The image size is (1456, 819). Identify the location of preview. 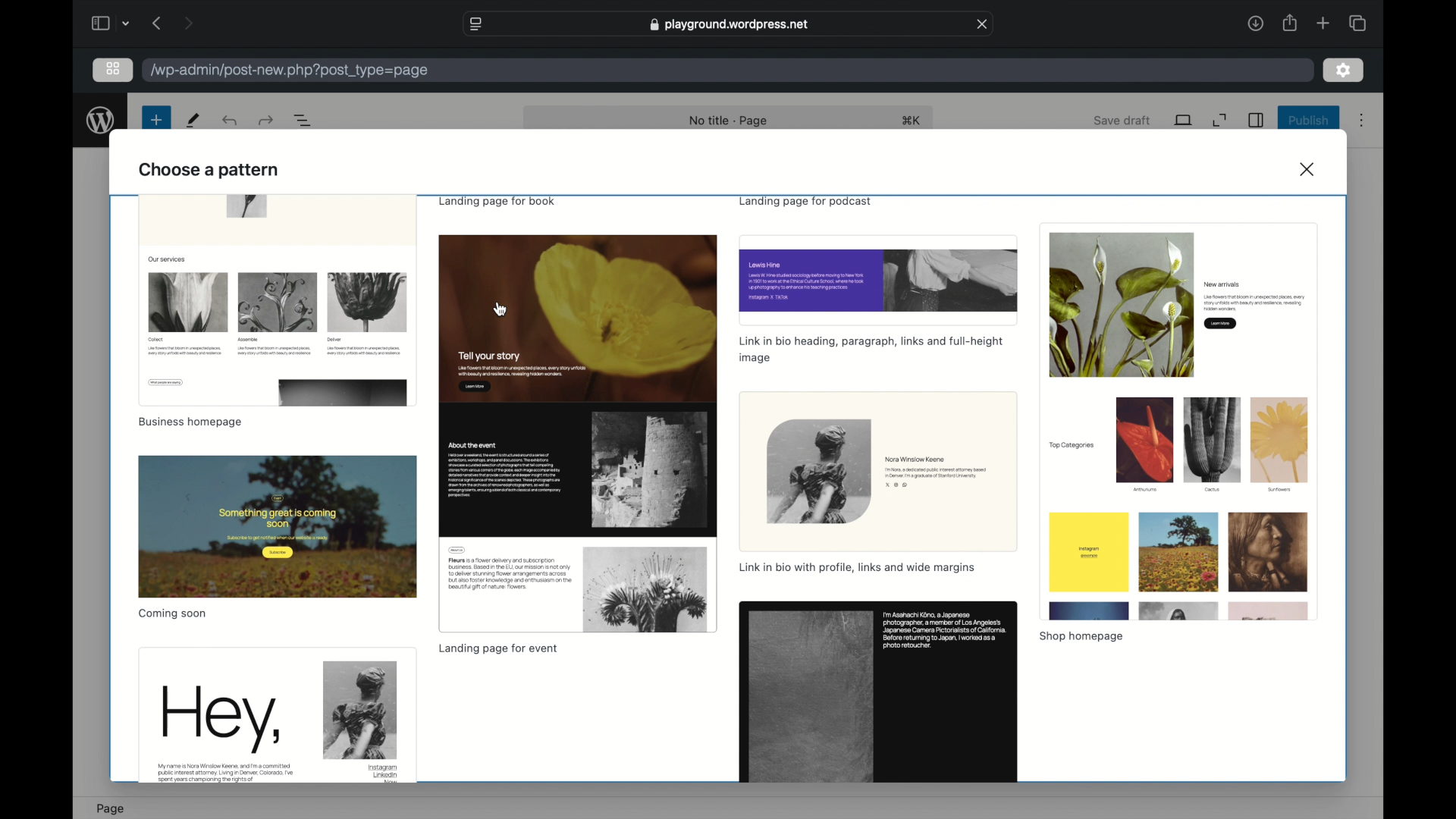
(277, 300).